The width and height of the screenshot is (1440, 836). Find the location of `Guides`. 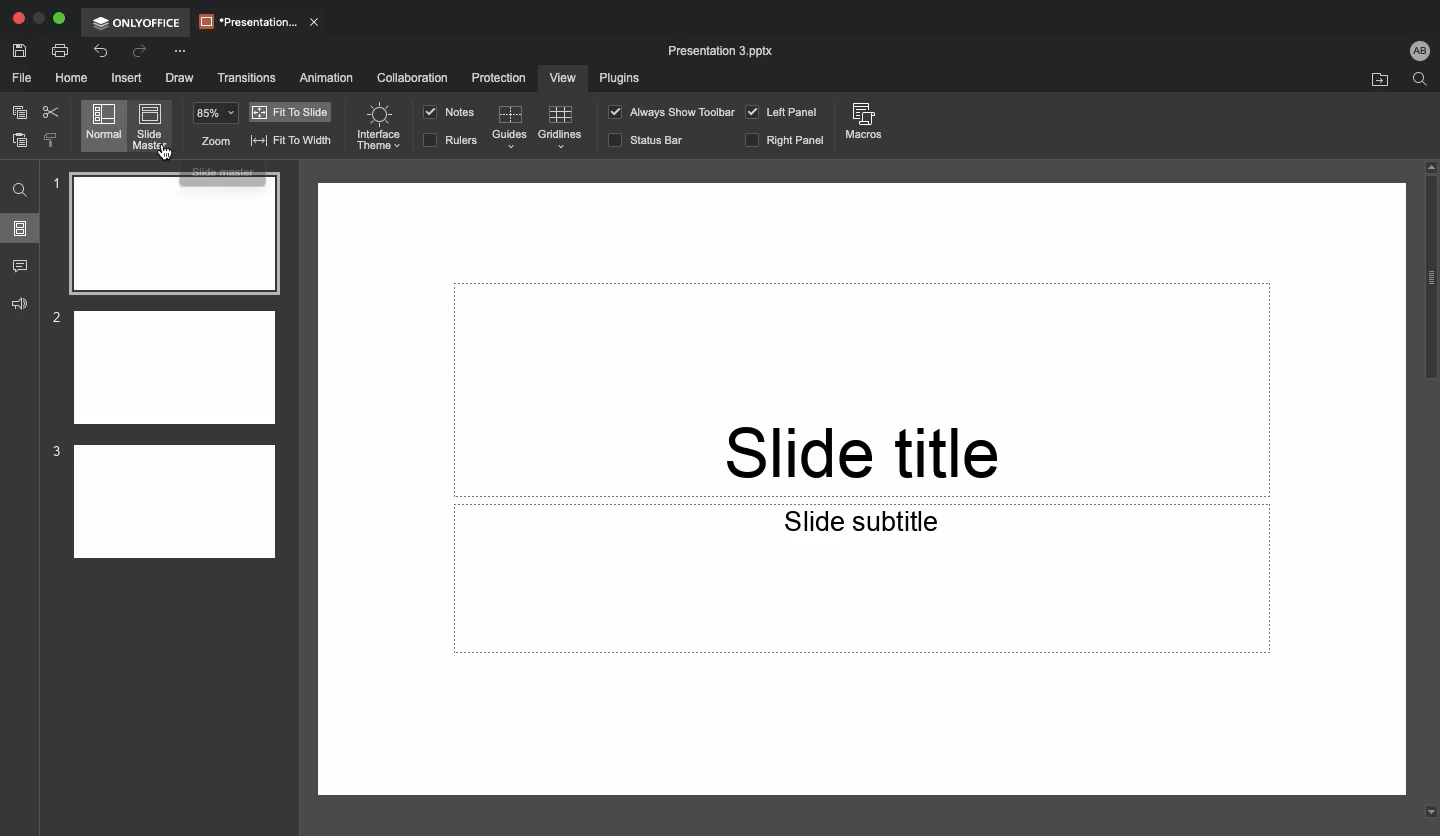

Guides is located at coordinates (507, 128).